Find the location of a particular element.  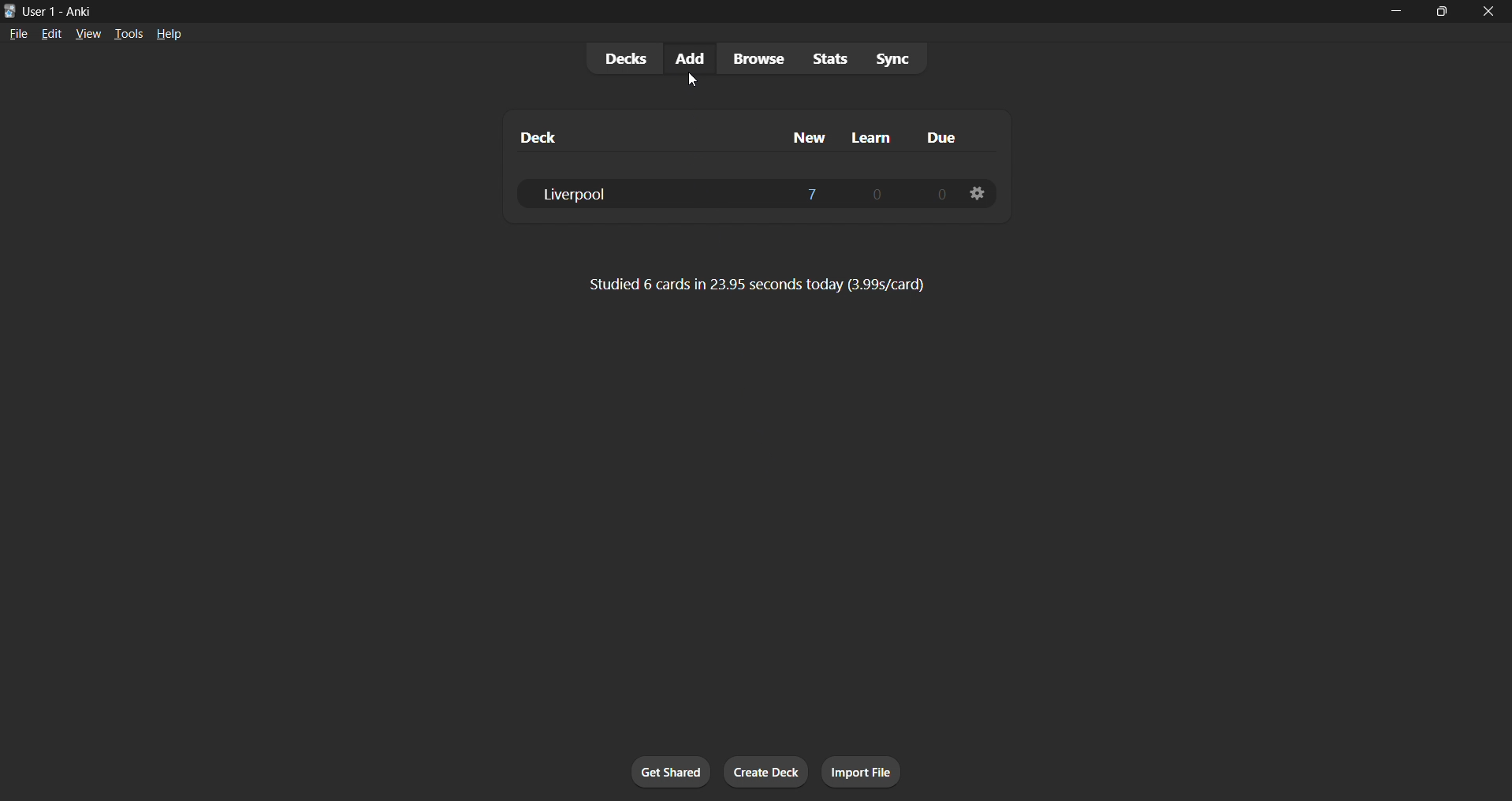

maximize/restore is located at coordinates (1442, 12).